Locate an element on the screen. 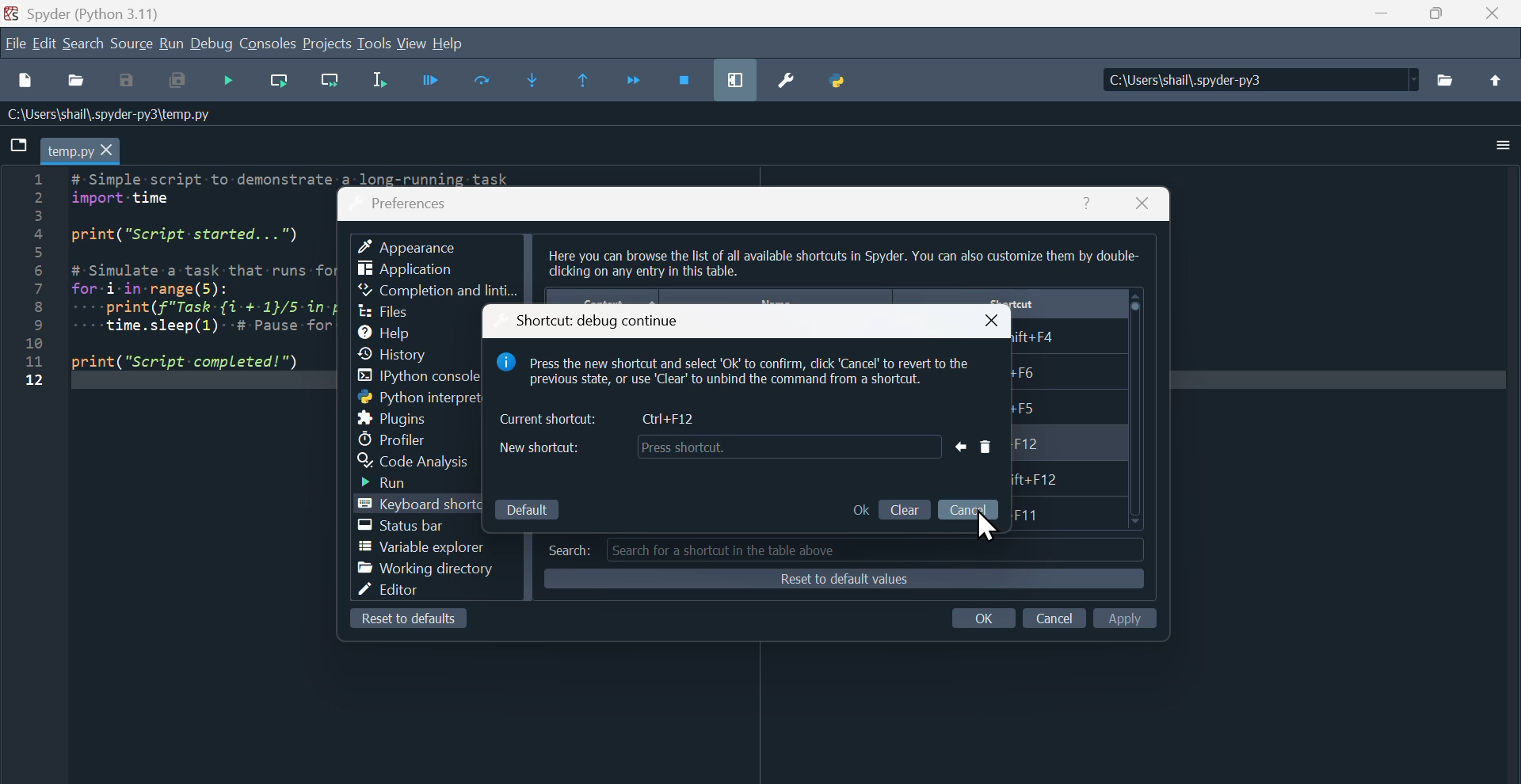 The image size is (1521, 784). Stop debugging is located at coordinates (685, 76).